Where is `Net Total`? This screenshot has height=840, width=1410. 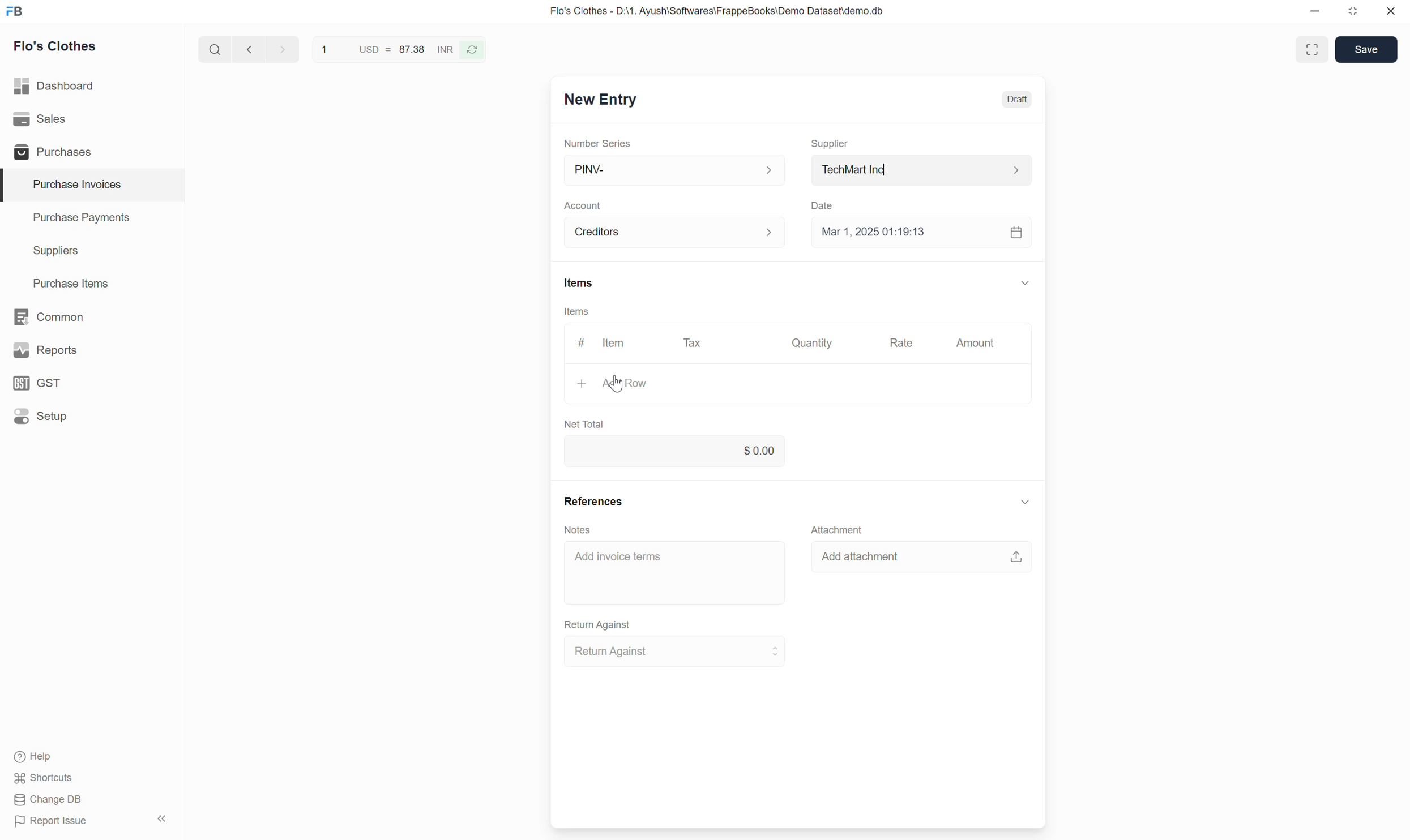
Net Total is located at coordinates (583, 422).